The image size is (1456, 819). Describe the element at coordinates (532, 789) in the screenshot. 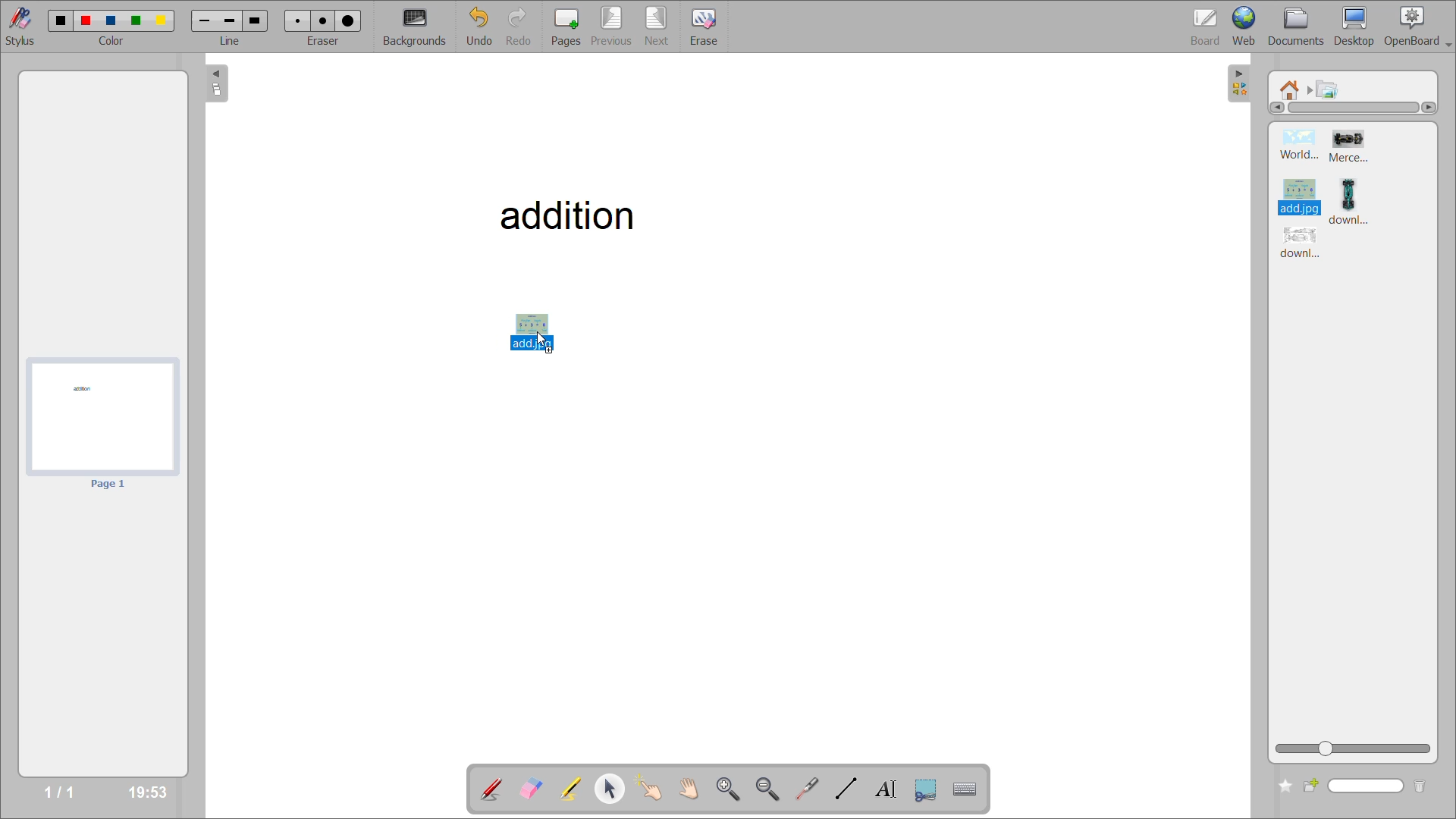

I see `erase annotation` at that location.